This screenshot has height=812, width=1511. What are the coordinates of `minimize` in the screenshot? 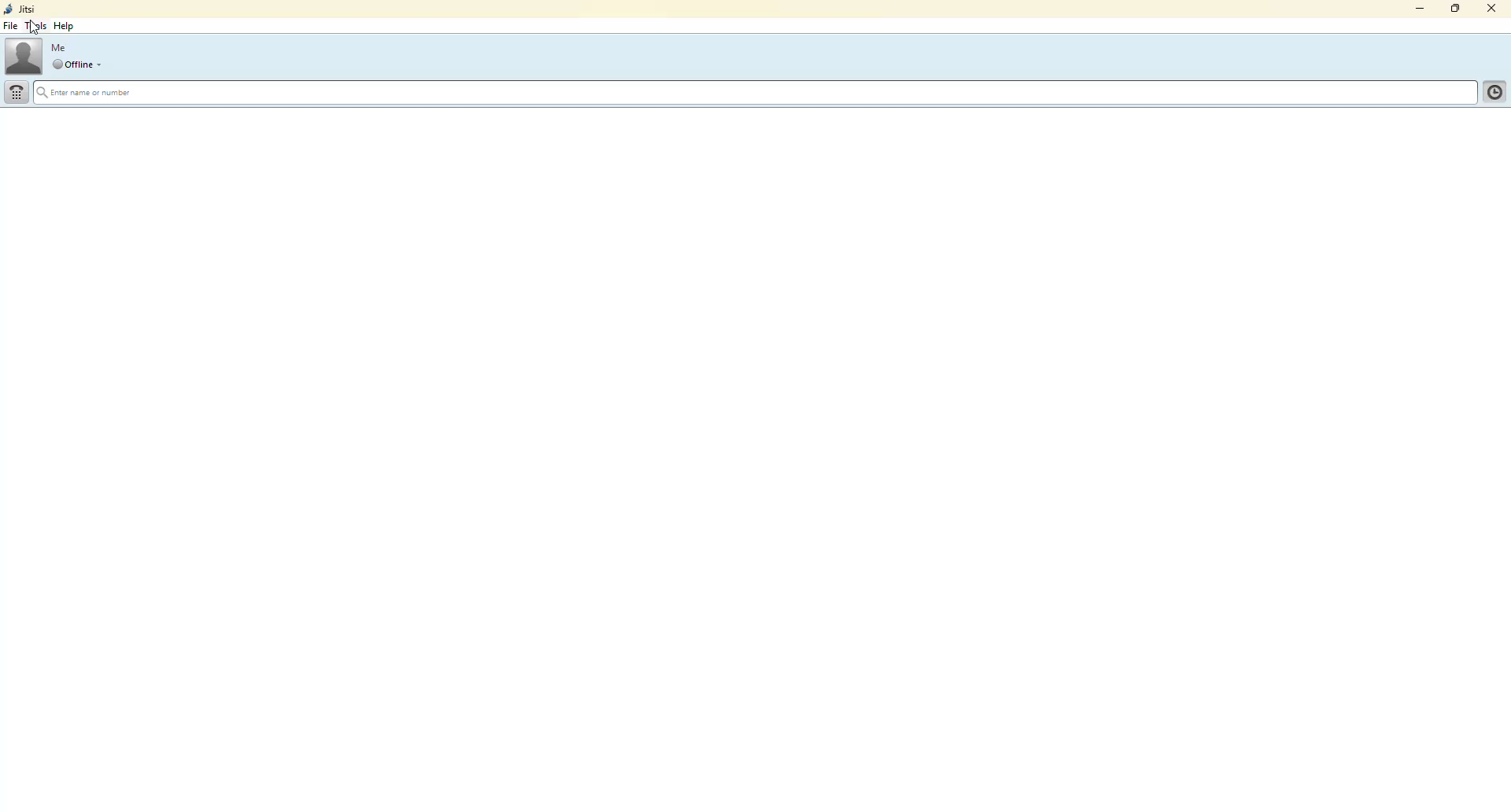 It's located at (1417, 9).